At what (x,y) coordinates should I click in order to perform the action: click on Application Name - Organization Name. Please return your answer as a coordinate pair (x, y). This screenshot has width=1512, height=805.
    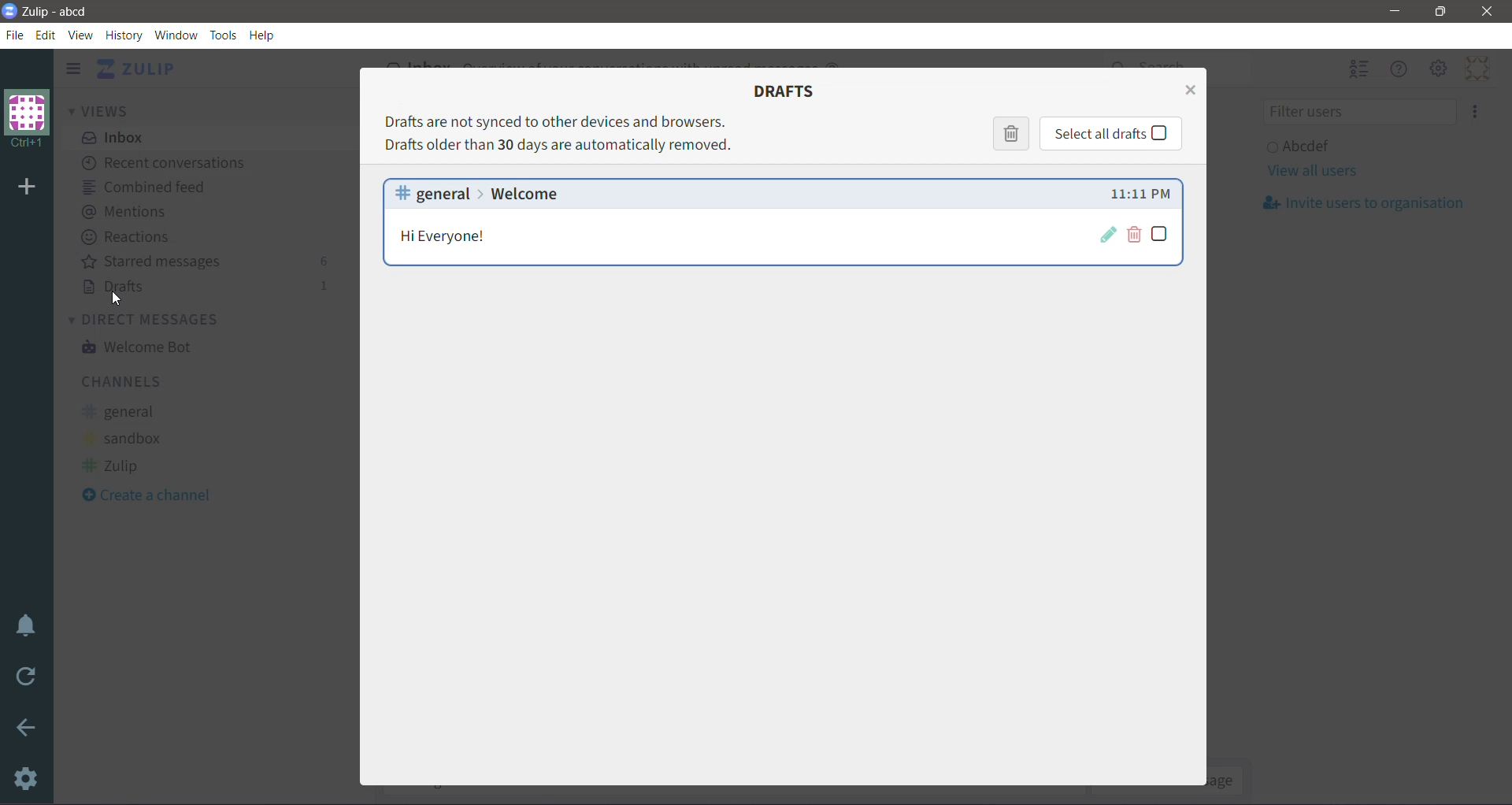
    Looking at the image, I should click on (65, 11).